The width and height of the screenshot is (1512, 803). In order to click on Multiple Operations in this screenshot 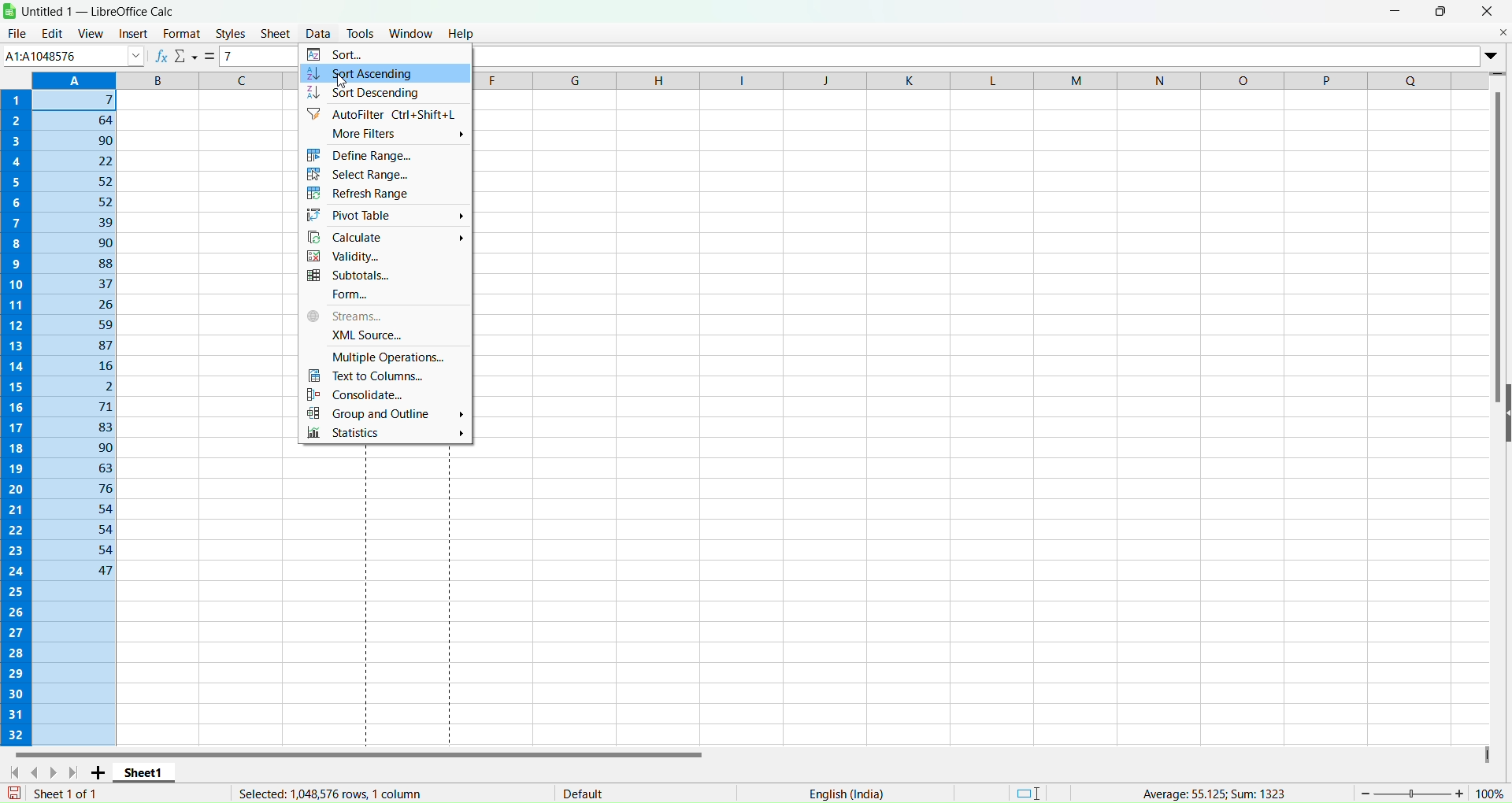, I will do `click(385, 357)`.